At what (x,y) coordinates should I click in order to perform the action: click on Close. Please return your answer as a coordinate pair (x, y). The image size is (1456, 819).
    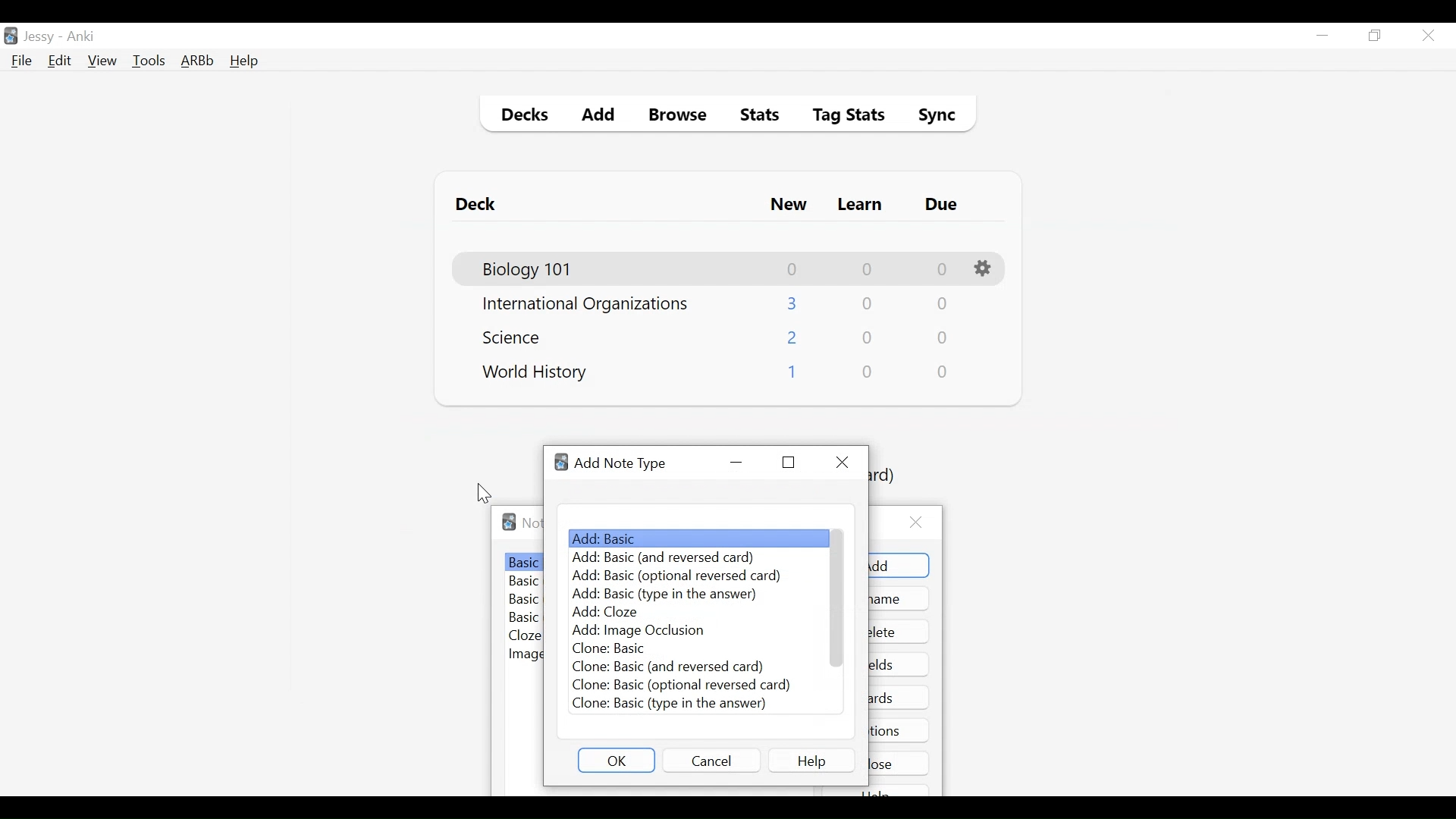
    Looking at the image, I should click on (900, 763).